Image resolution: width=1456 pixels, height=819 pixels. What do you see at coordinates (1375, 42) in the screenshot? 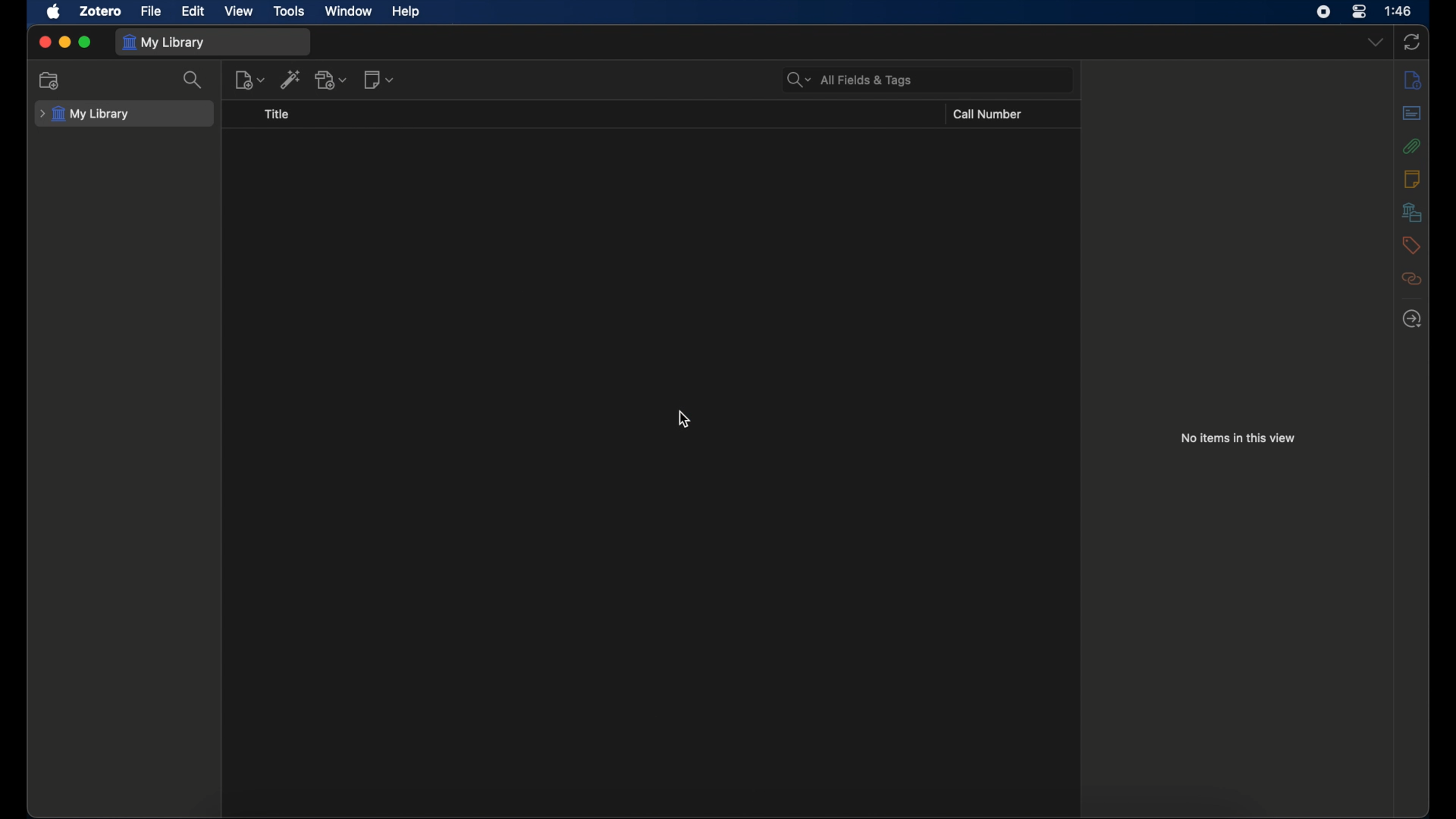
I see `dropdown` at bounding box center [1375, 42].